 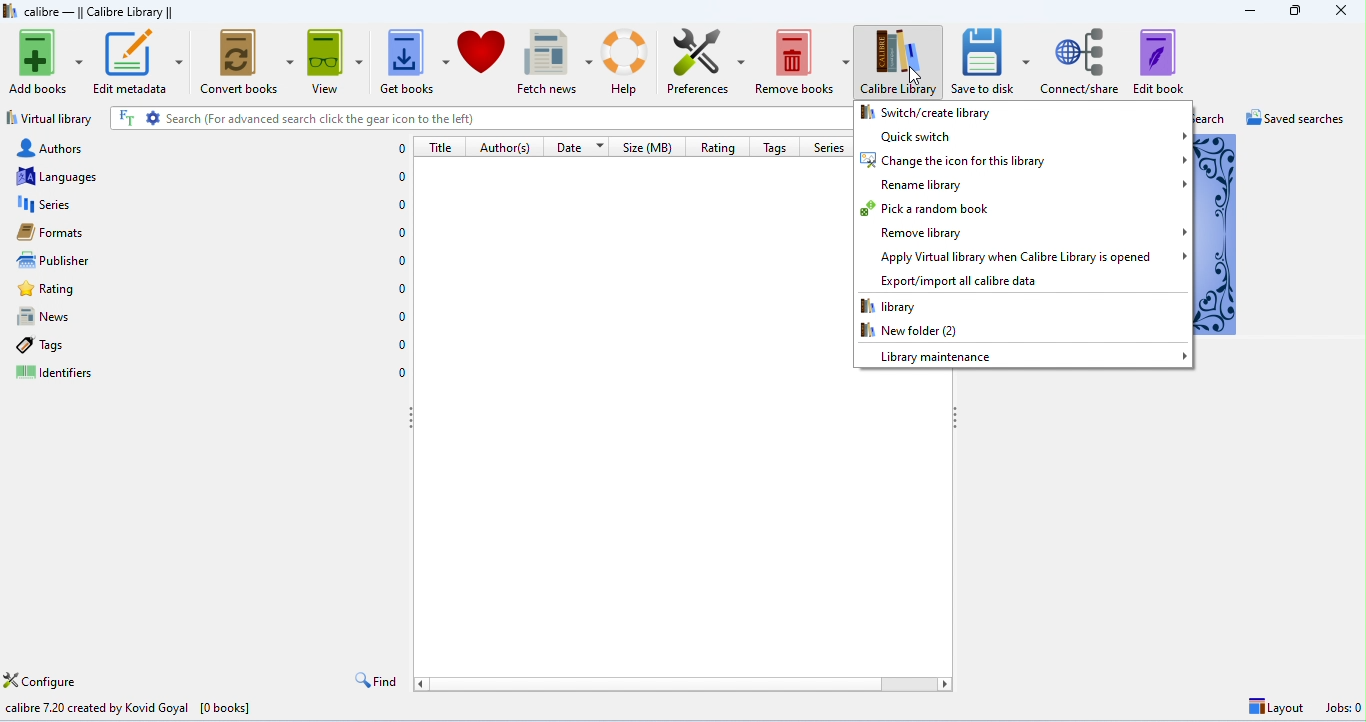 What do you see at coordinates (336, 62) in the screenshot?
I see `view` at bounding box center [336, 62].